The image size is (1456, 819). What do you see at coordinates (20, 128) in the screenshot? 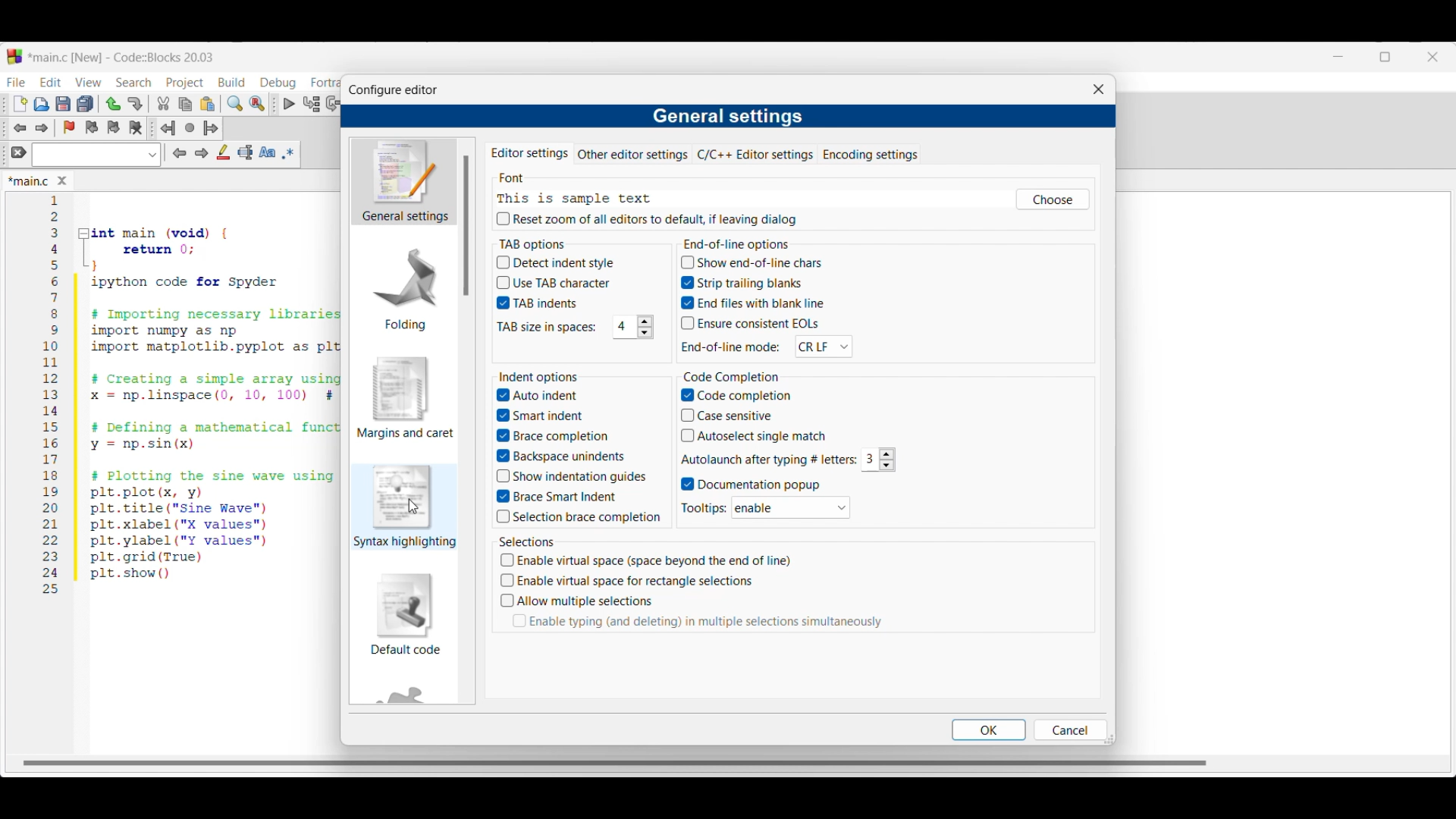
I see `Toggle back` at bounding box center [20, 128].